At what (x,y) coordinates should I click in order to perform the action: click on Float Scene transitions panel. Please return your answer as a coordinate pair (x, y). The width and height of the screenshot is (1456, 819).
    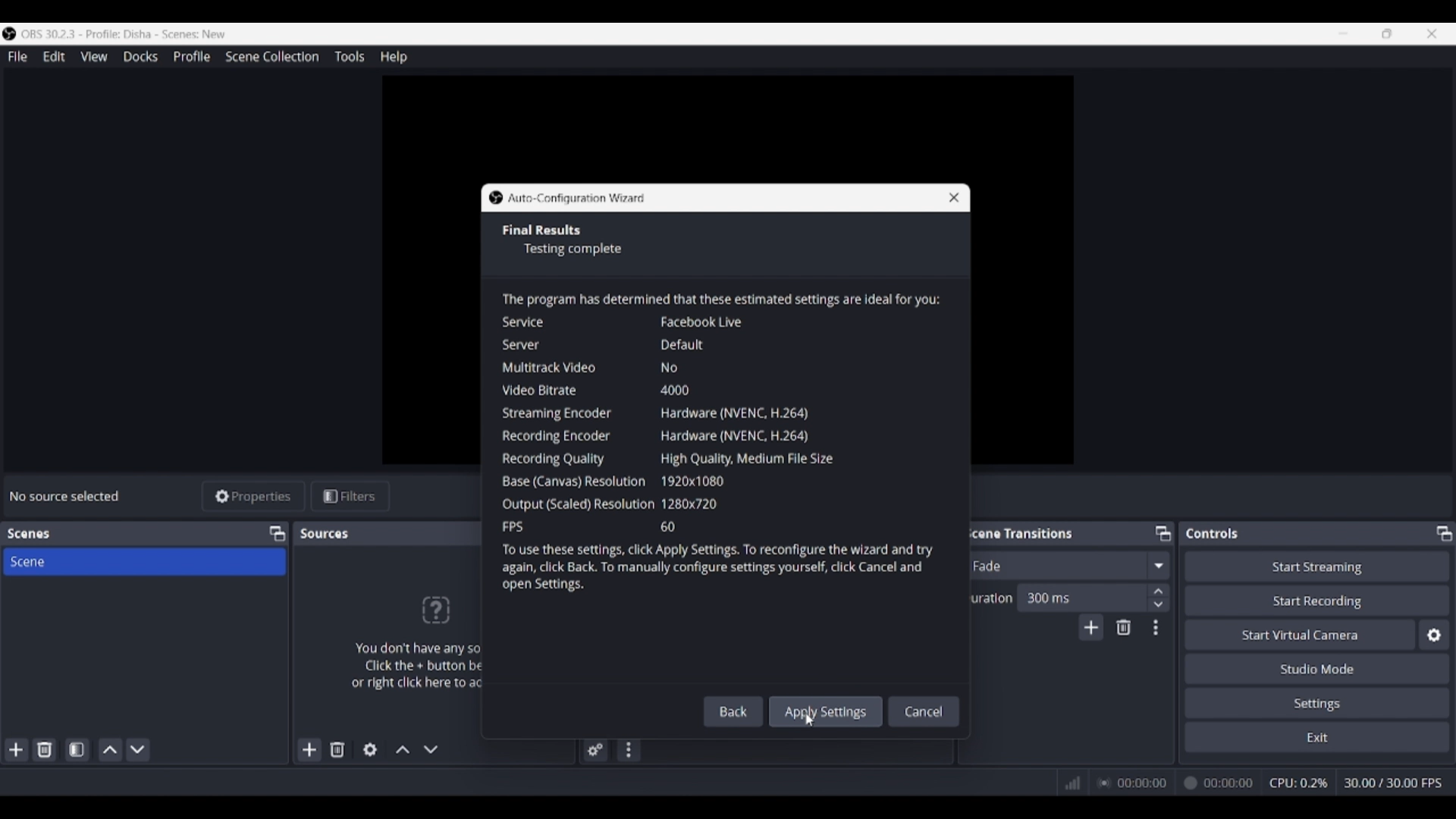
    Looking at the image, I should click on (1163, 533).